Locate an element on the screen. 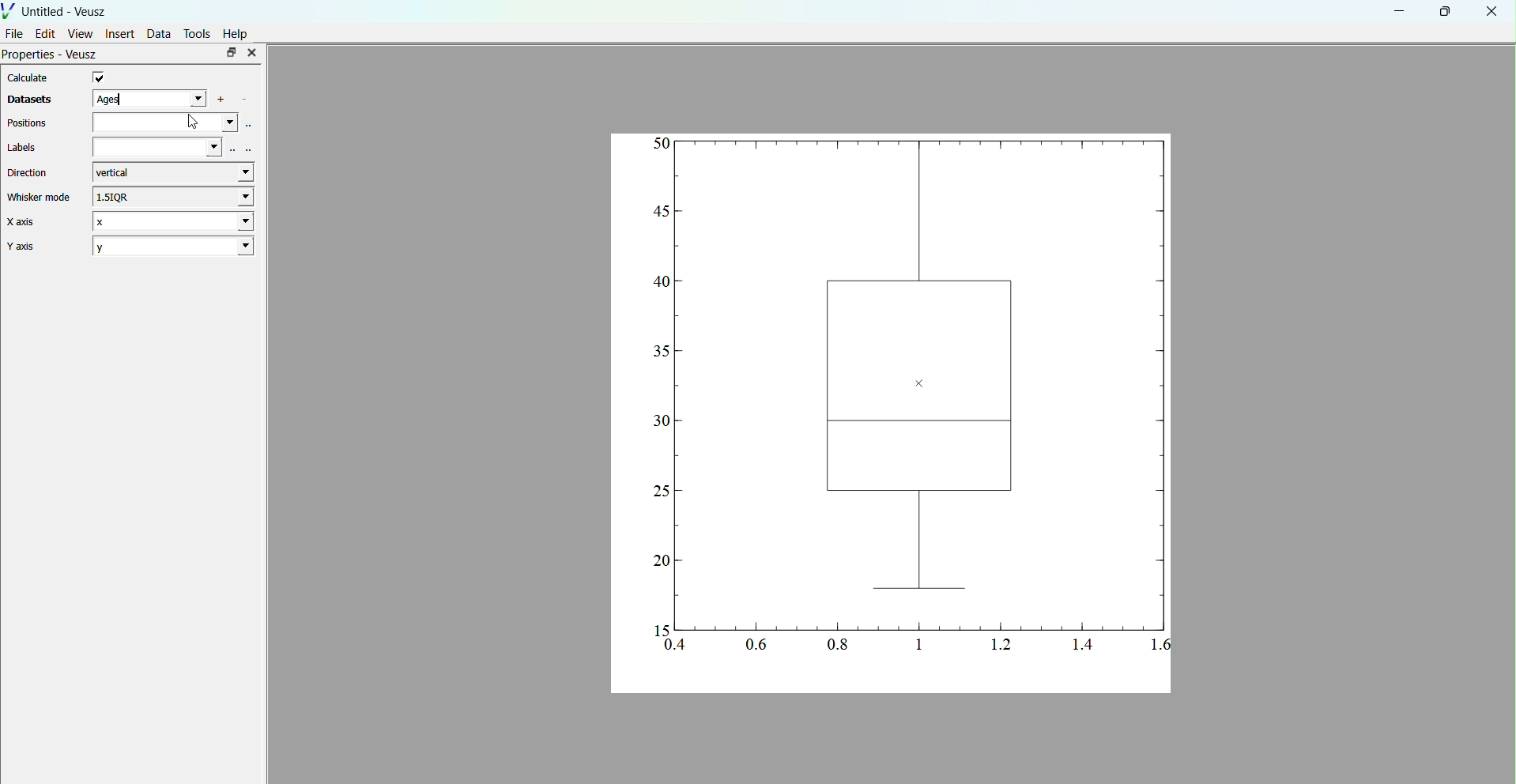  Untitled - Veusz is located at coordinates (57, 9).